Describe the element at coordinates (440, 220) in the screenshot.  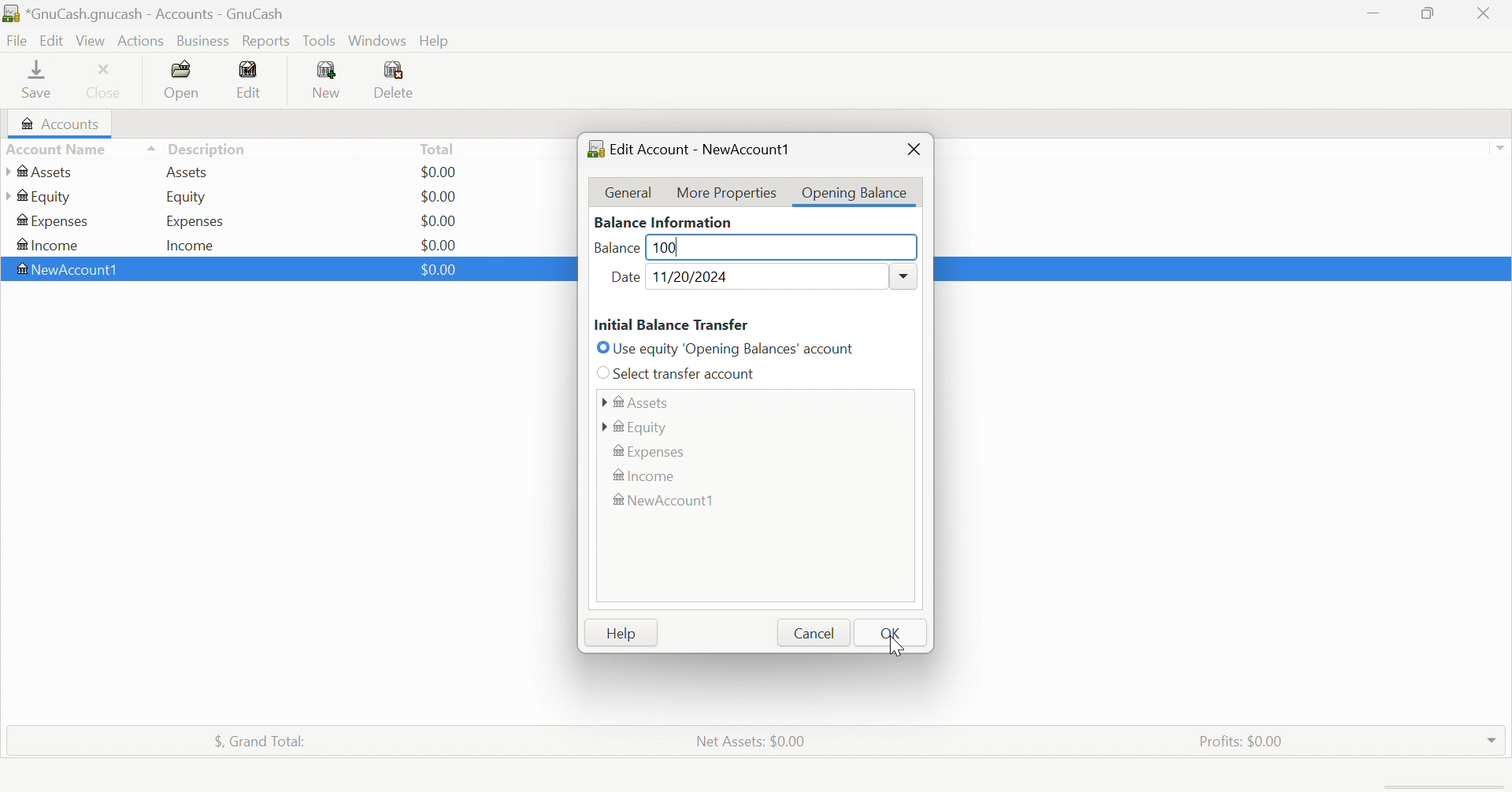
I see `$0.00` at that location.